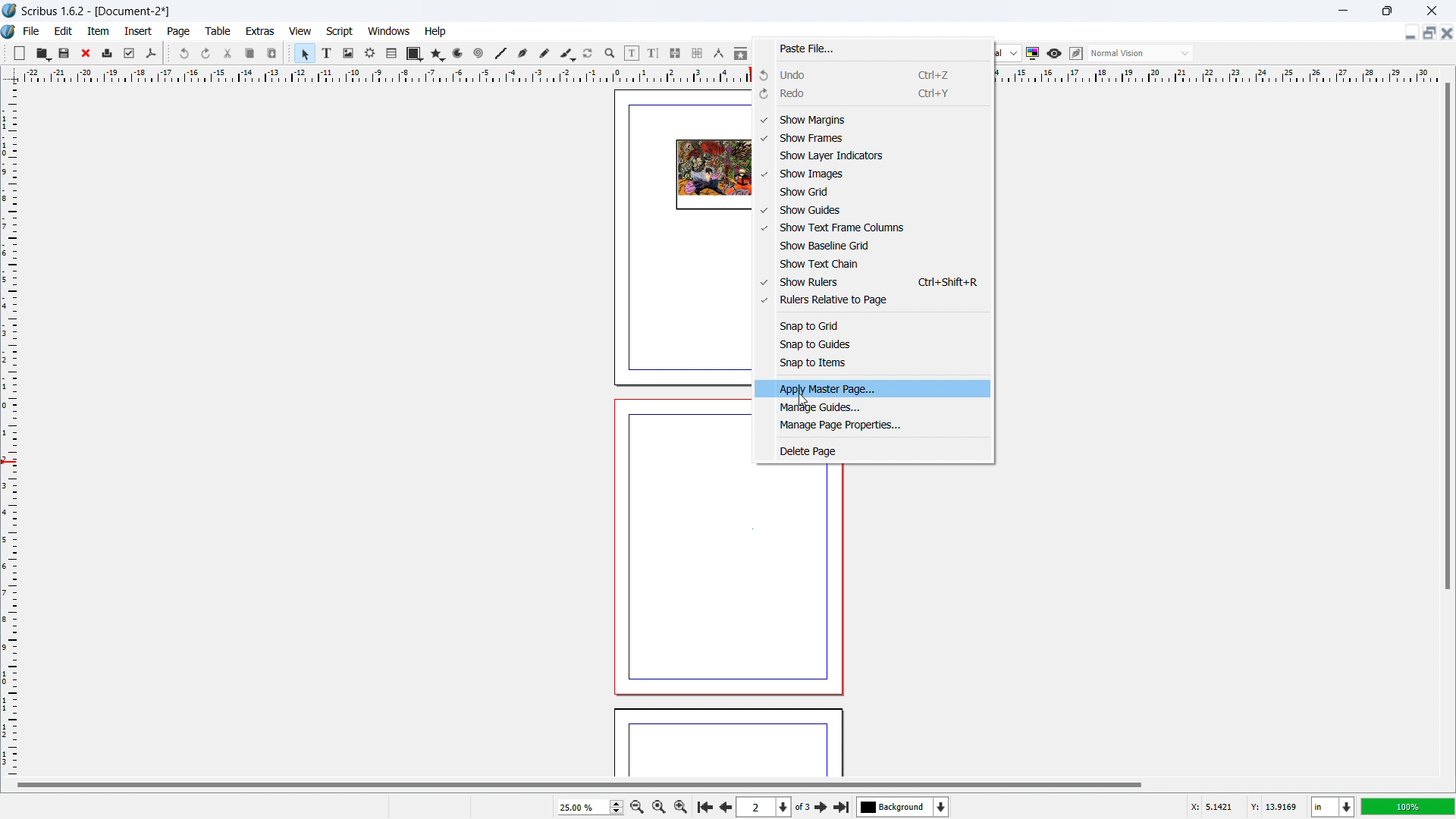  Describe the element at coordinates (415, 54) in the screenshot. I see `shape` at that location.